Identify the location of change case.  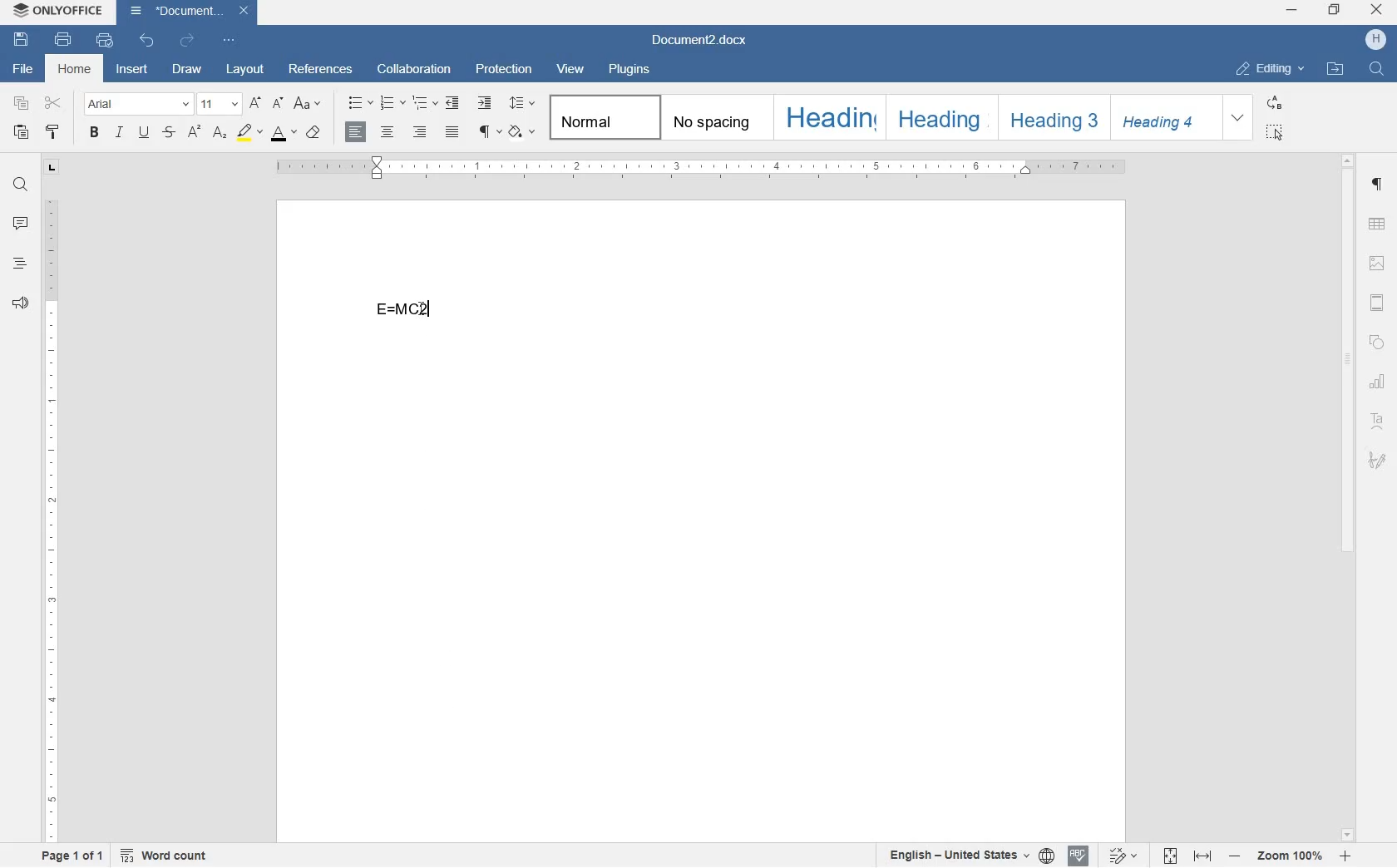
(308, 104).